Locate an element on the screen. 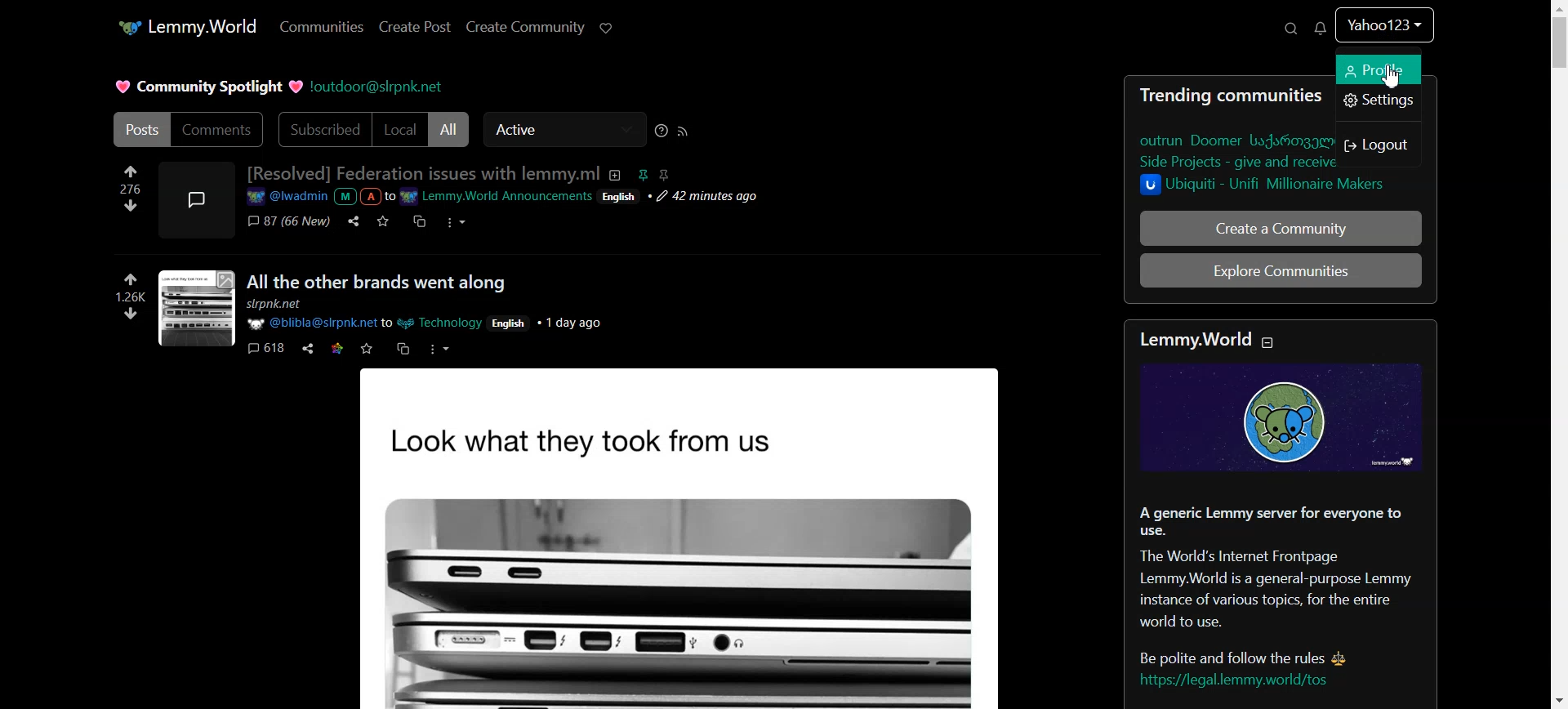 The image size is (1568, 709). Upvote is located at coordinates (128, 178).